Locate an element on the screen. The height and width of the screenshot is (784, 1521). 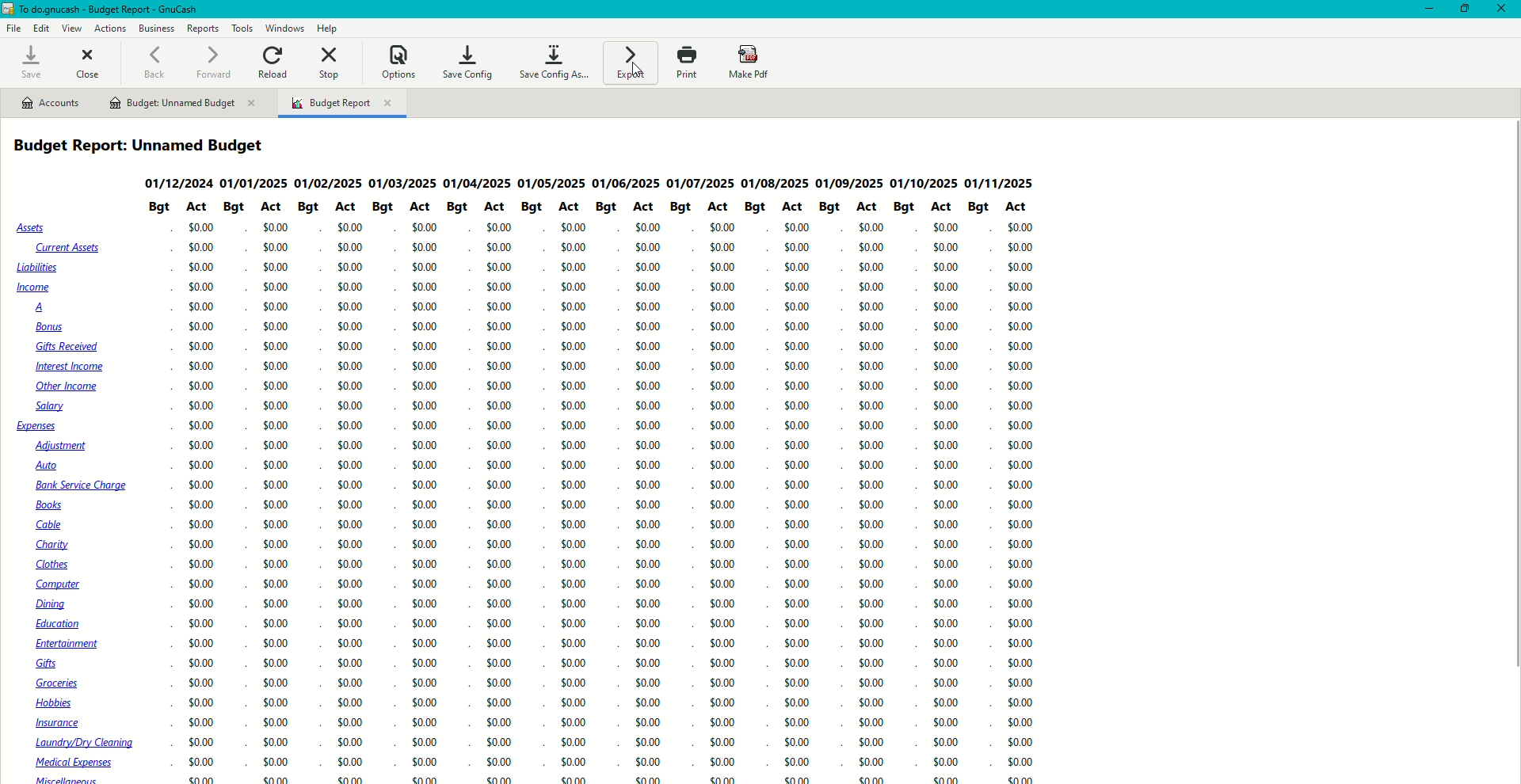
0.00 is located at coordinates (201, 328).